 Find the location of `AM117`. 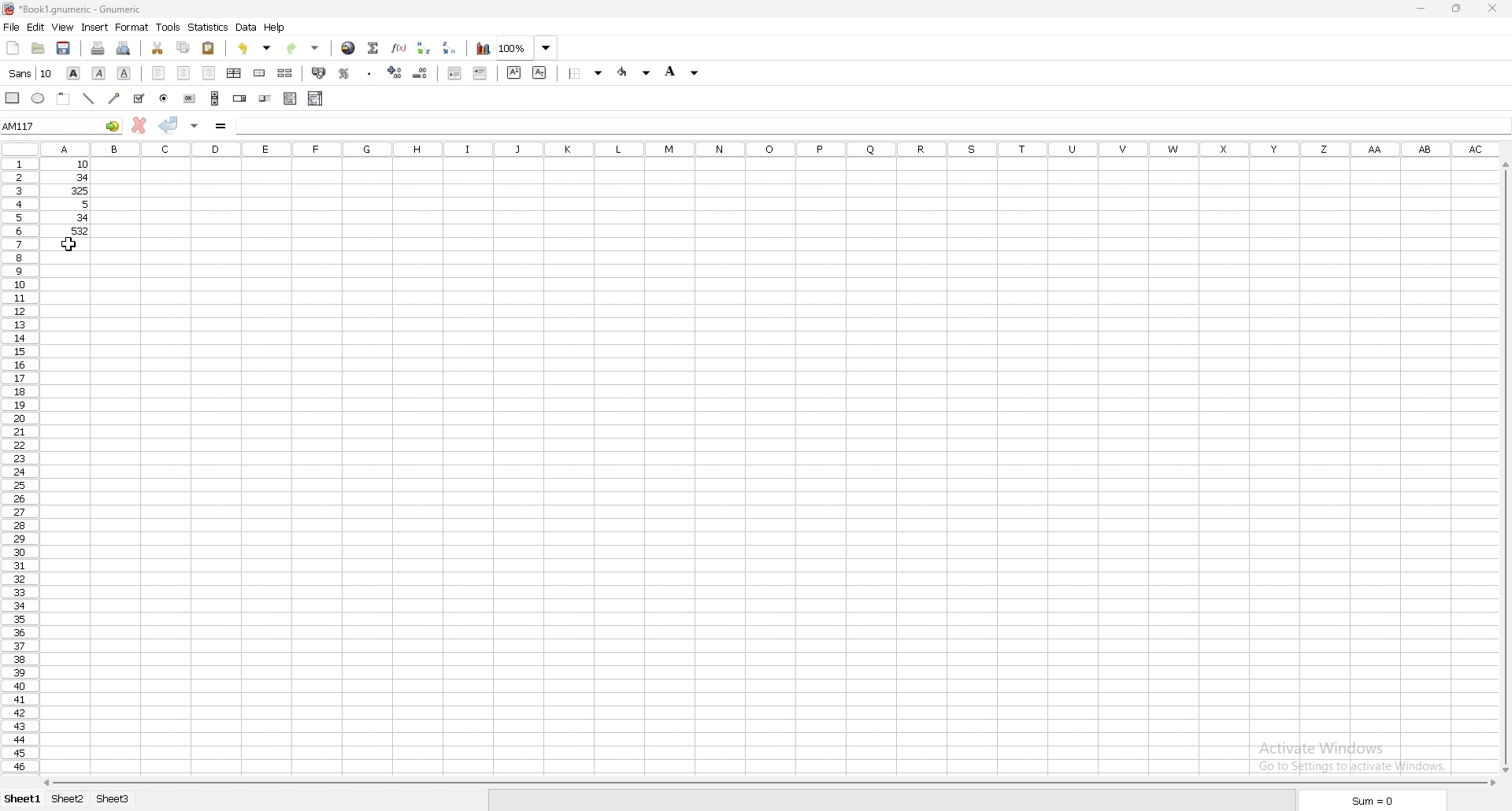

AM117 is located at coordinates (62, 125).